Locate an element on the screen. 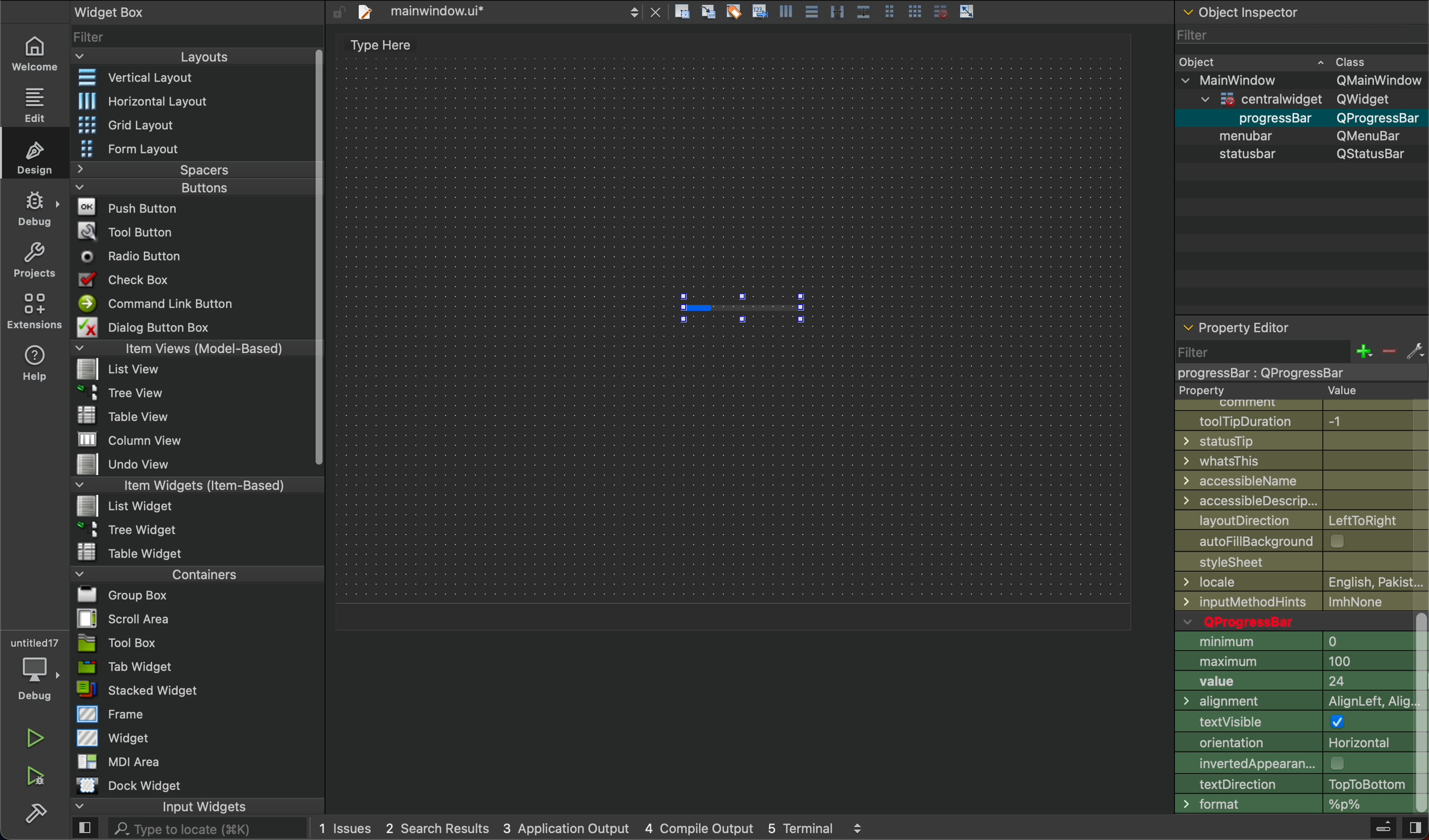 The image size is (1429, 840). Dialog Button is located at coordinates (157, 326).